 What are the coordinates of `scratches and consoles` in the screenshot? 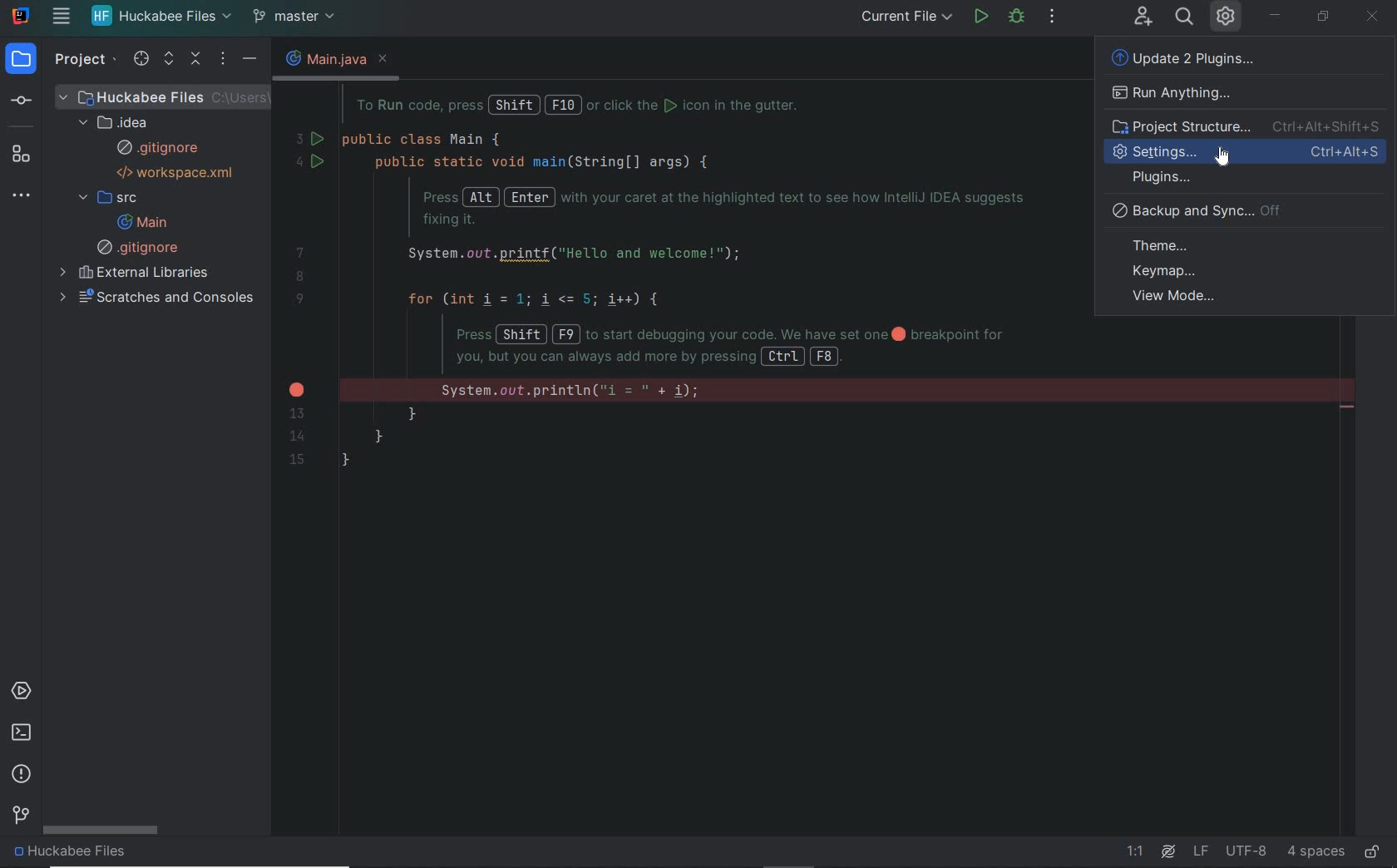 It's located at (160, 300).